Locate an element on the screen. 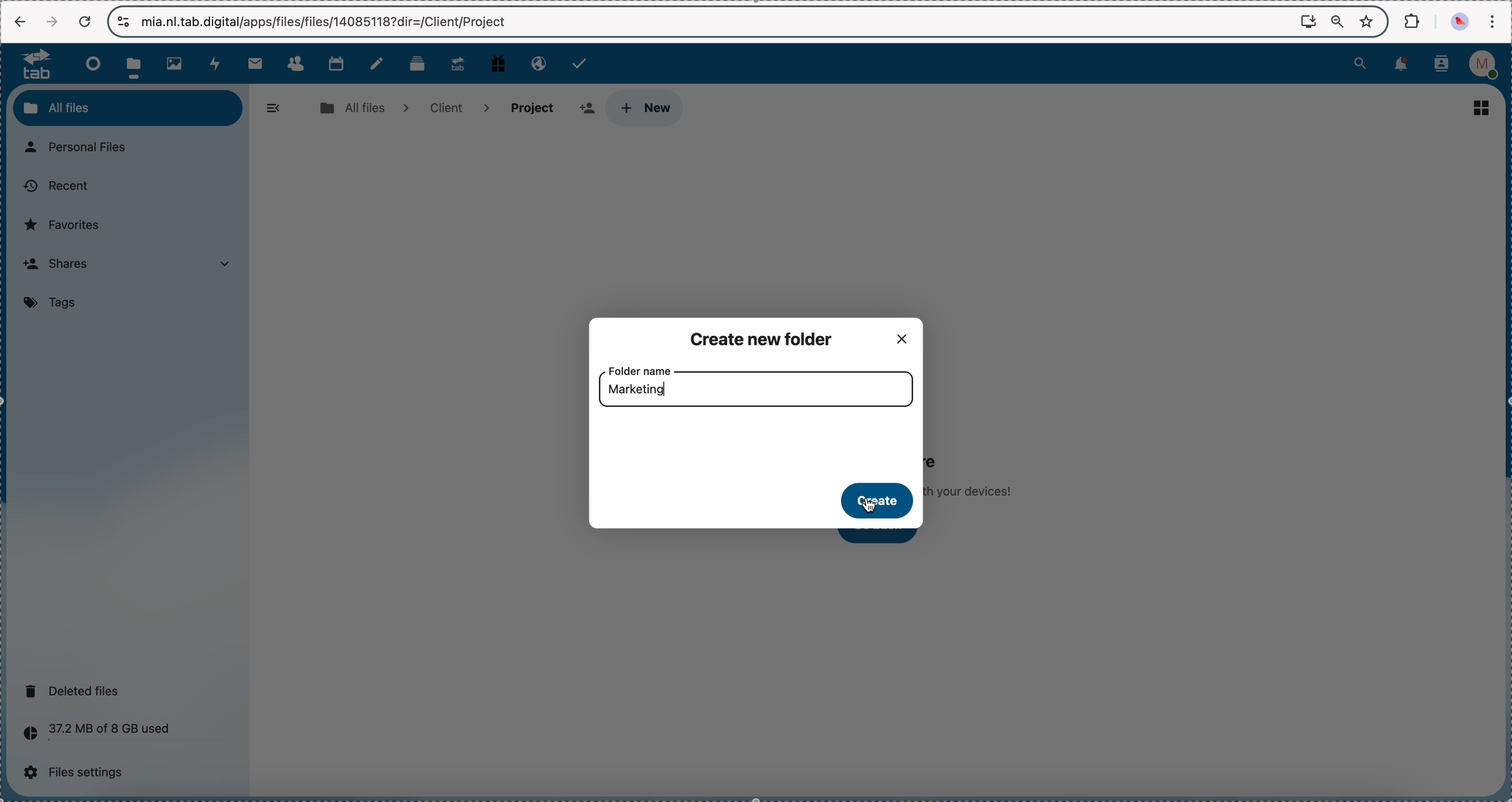  search is located at coordinates (1360, 62).